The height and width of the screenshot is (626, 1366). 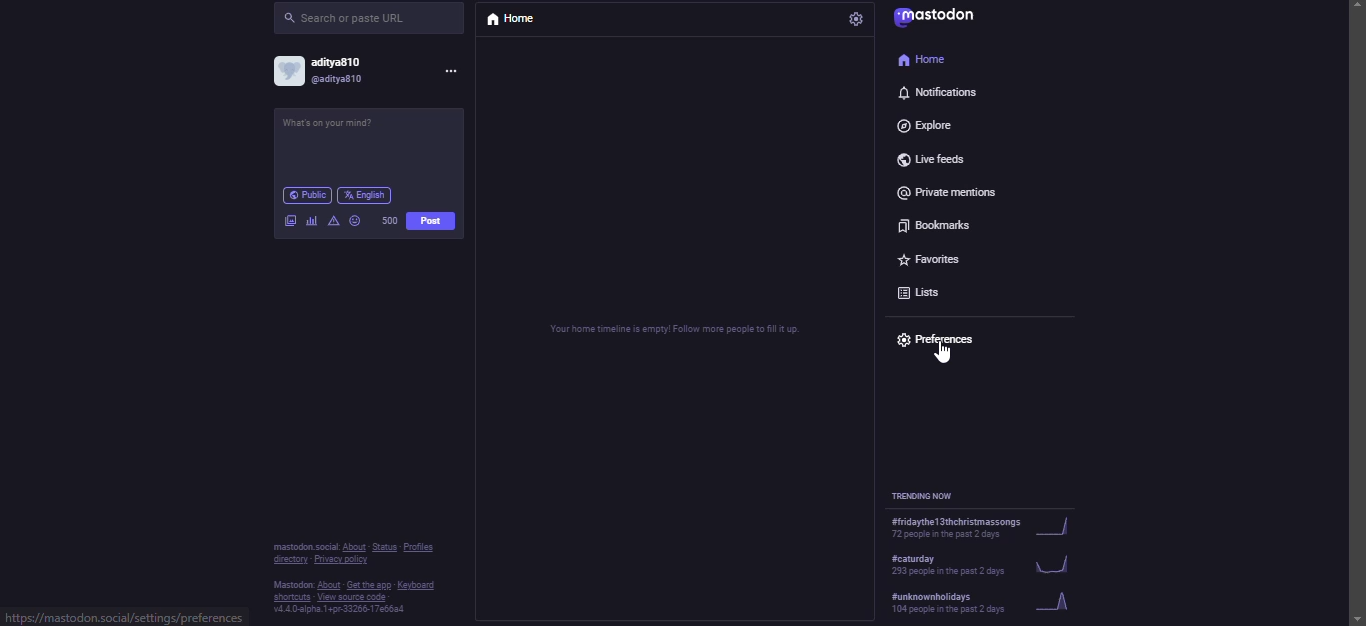 What do you see at coordinates (979, 601) in the screenshot?
I see `trending` at bounding box center [979, 601].